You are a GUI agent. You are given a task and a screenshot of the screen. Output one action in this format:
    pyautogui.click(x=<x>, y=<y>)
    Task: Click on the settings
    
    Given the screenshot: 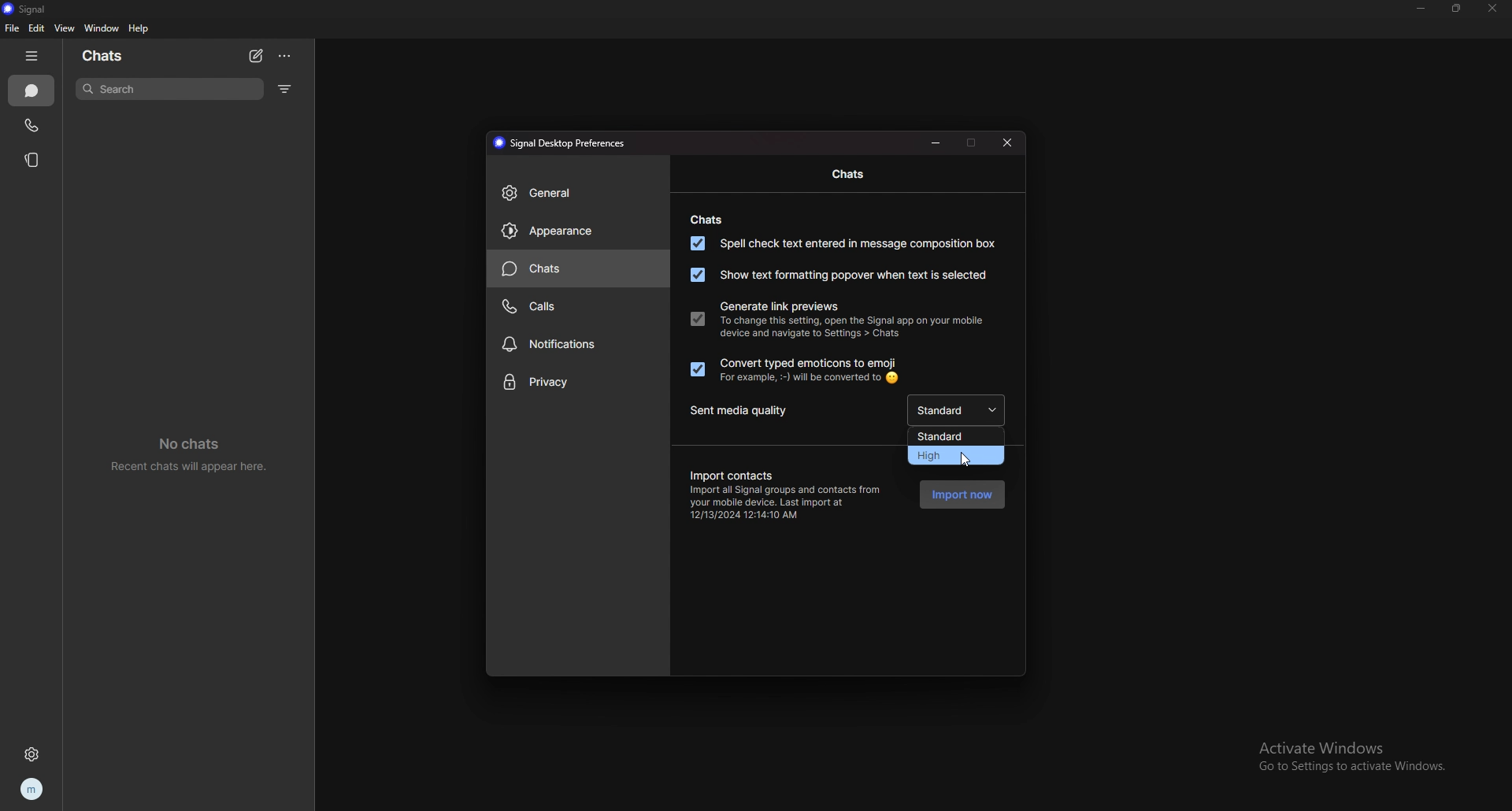 What is the action you would take?
    pyautogui.click(x=33, y=755)
    